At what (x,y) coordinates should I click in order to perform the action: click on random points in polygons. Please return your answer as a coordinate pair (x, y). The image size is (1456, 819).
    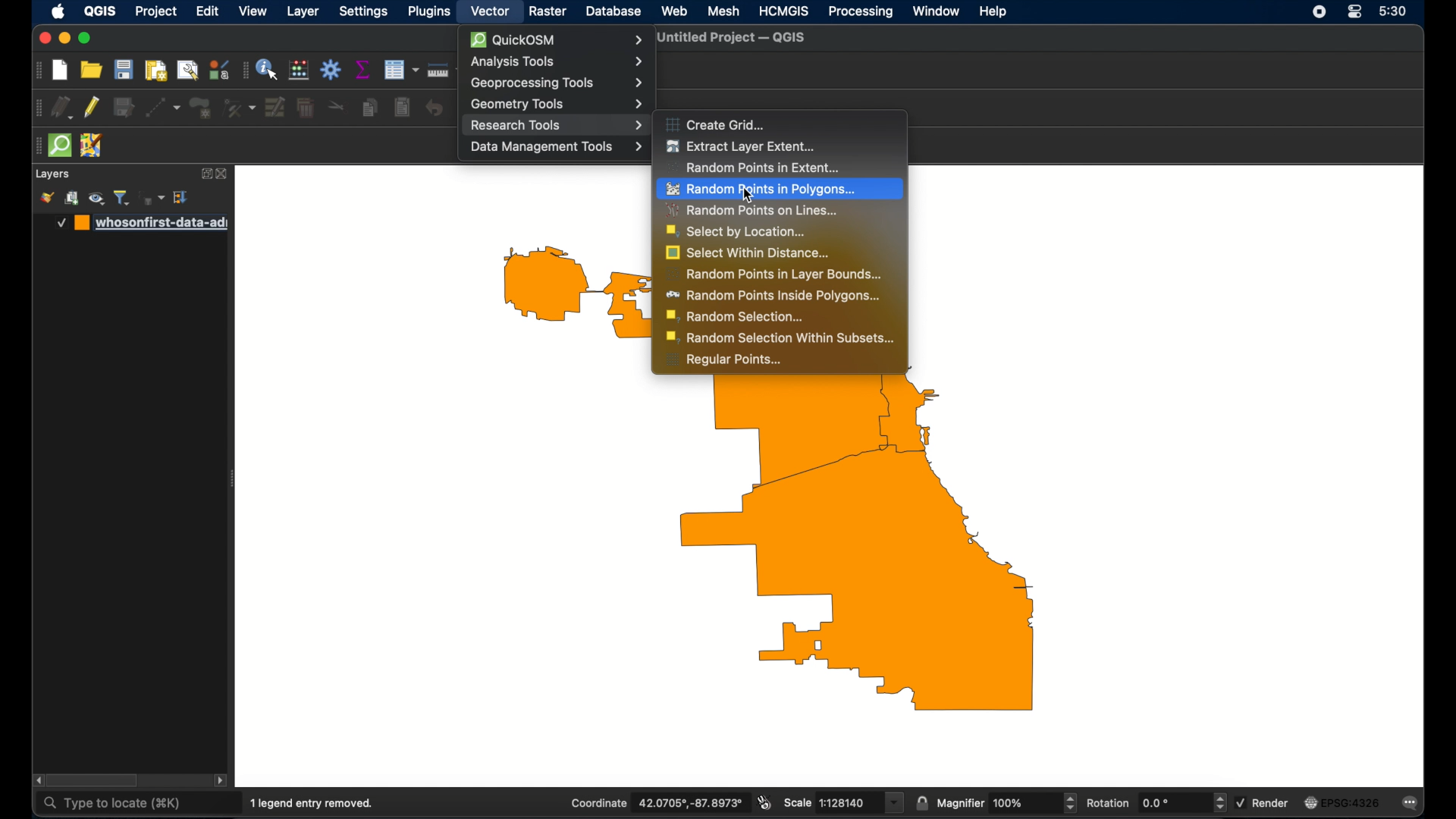
    Looking at the image, I should click on (761, 190).